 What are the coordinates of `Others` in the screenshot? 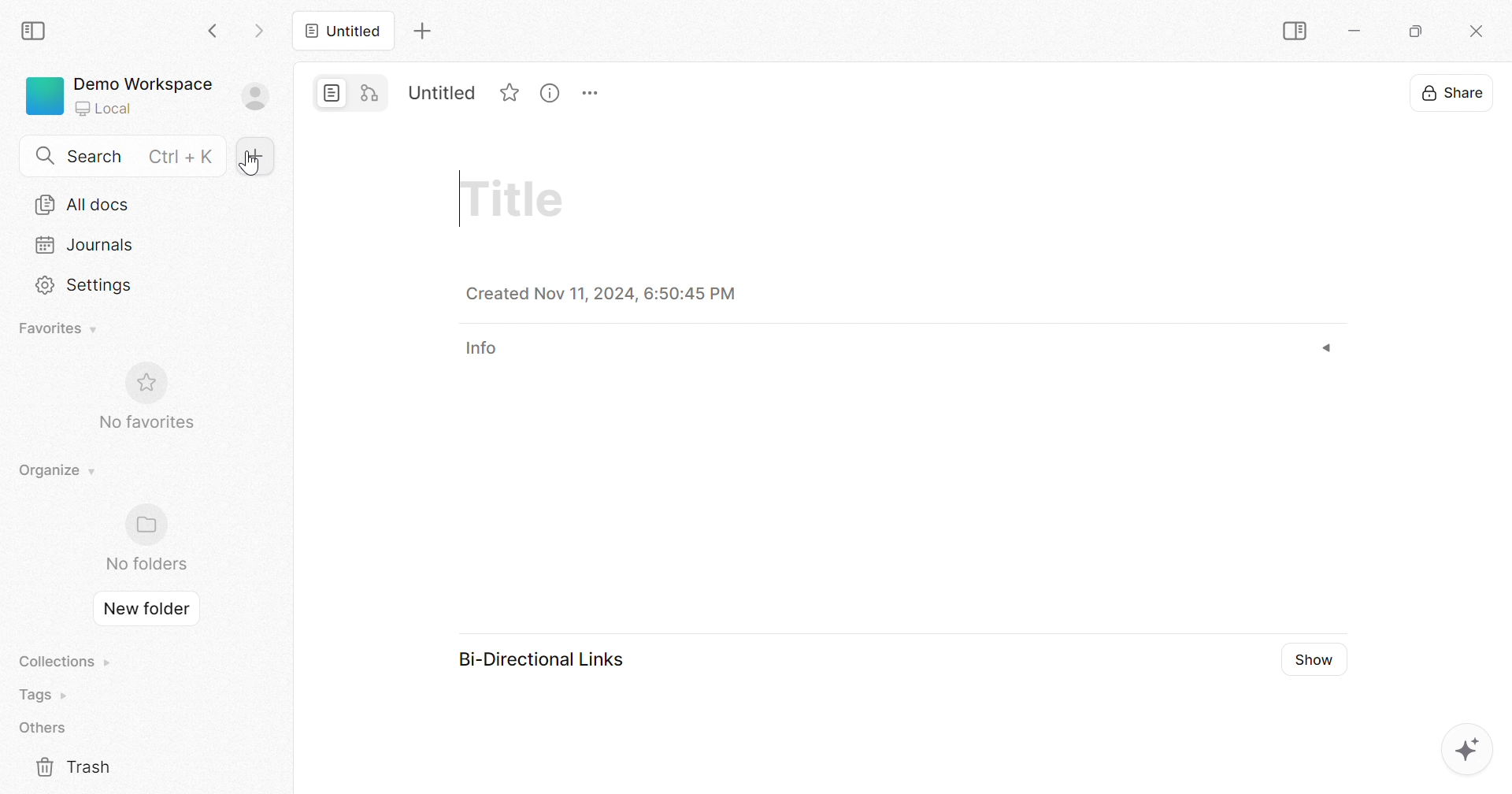 It's located at (45, 728).